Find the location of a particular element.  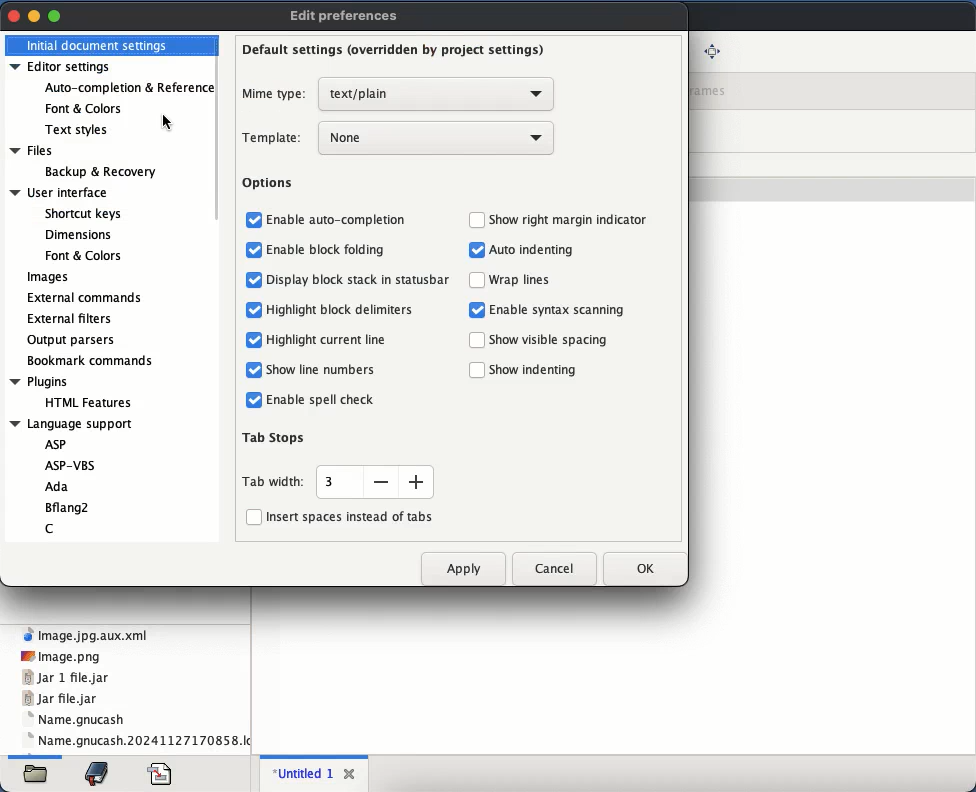

options is located at coordinates (268, 185).